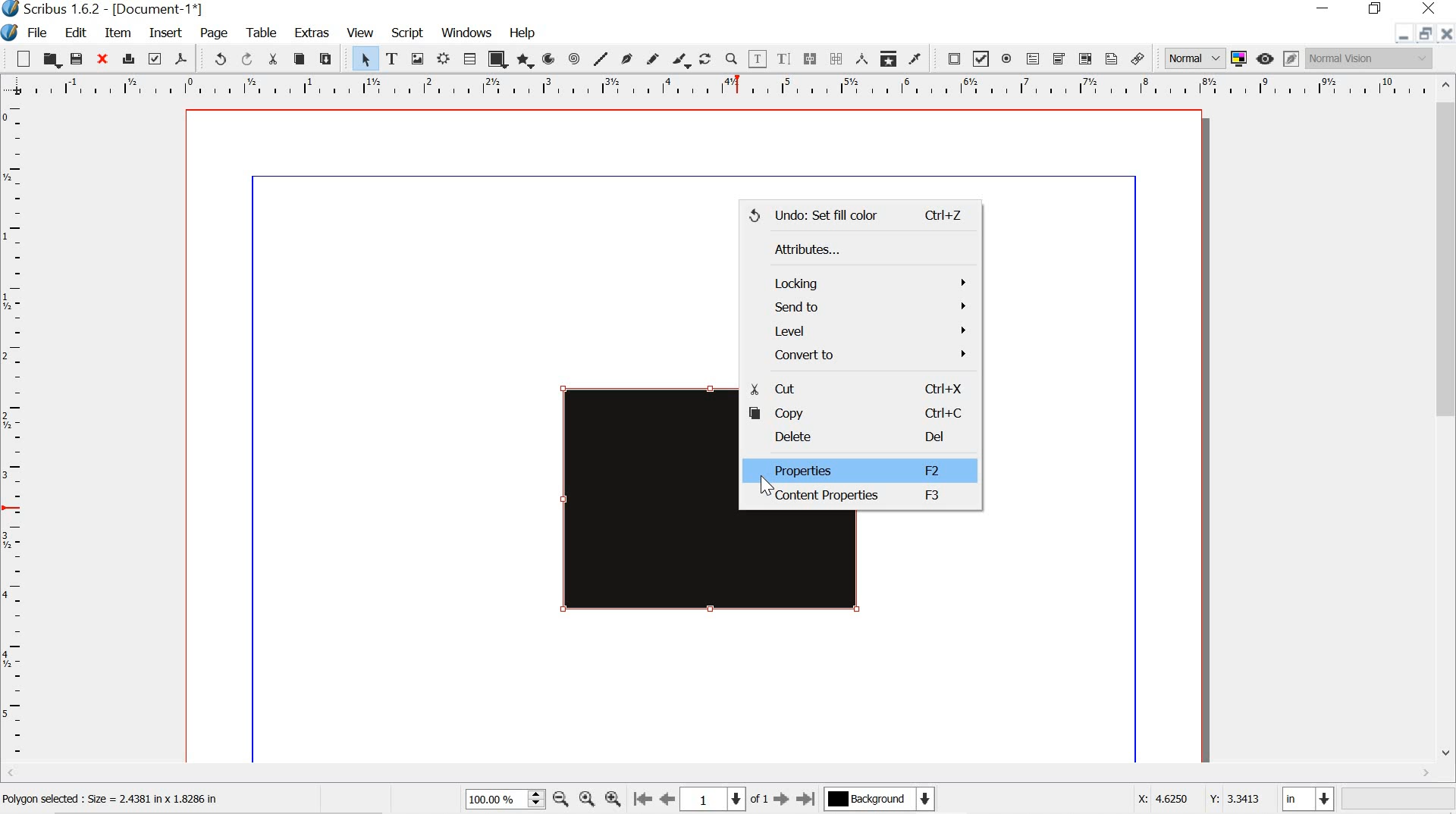  What do you see at coordinates (311, 33) in the screenshot?
I see `extras` at bounding box center [311, 33].